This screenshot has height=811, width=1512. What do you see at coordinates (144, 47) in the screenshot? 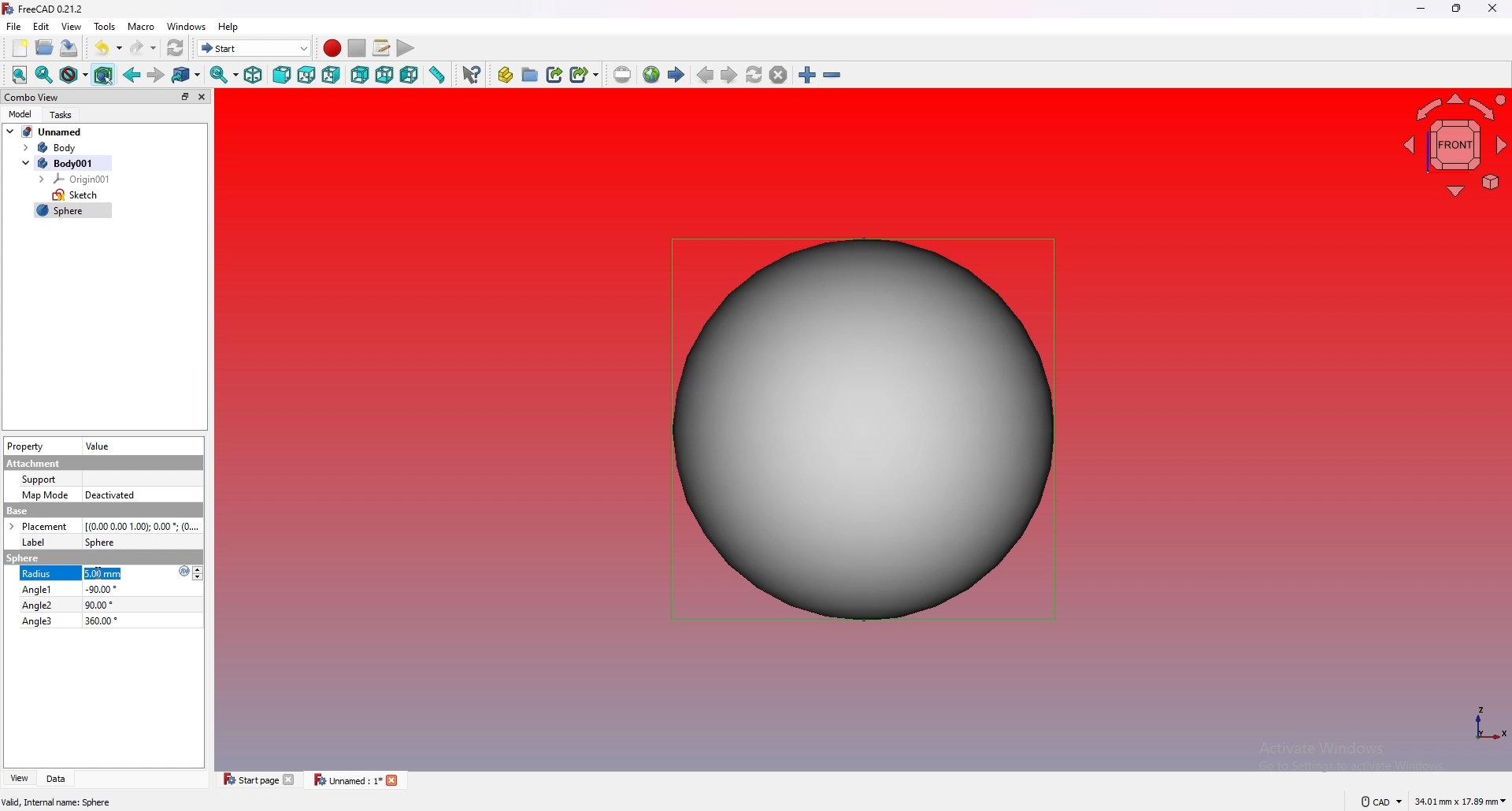
I see `redo` at bounding box center [144, 47].